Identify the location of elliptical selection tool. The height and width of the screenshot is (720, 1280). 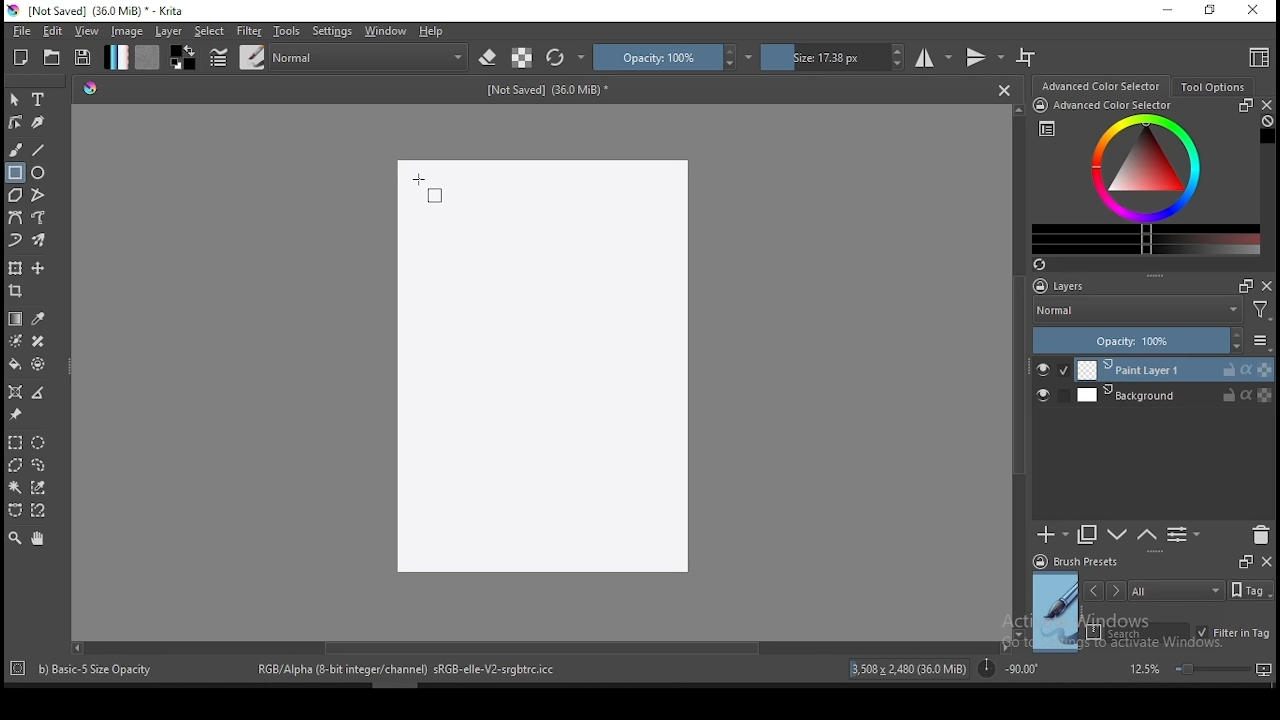
(38, 443).